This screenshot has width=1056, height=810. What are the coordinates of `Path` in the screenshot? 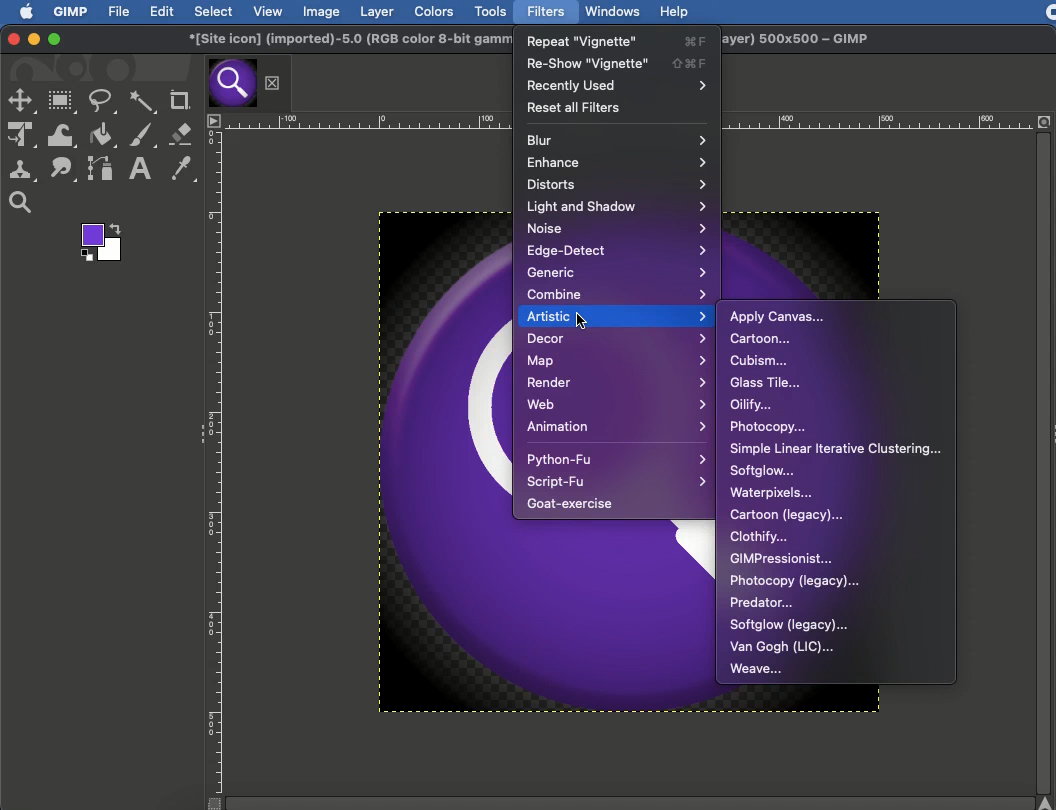 It's located at (99, 168).